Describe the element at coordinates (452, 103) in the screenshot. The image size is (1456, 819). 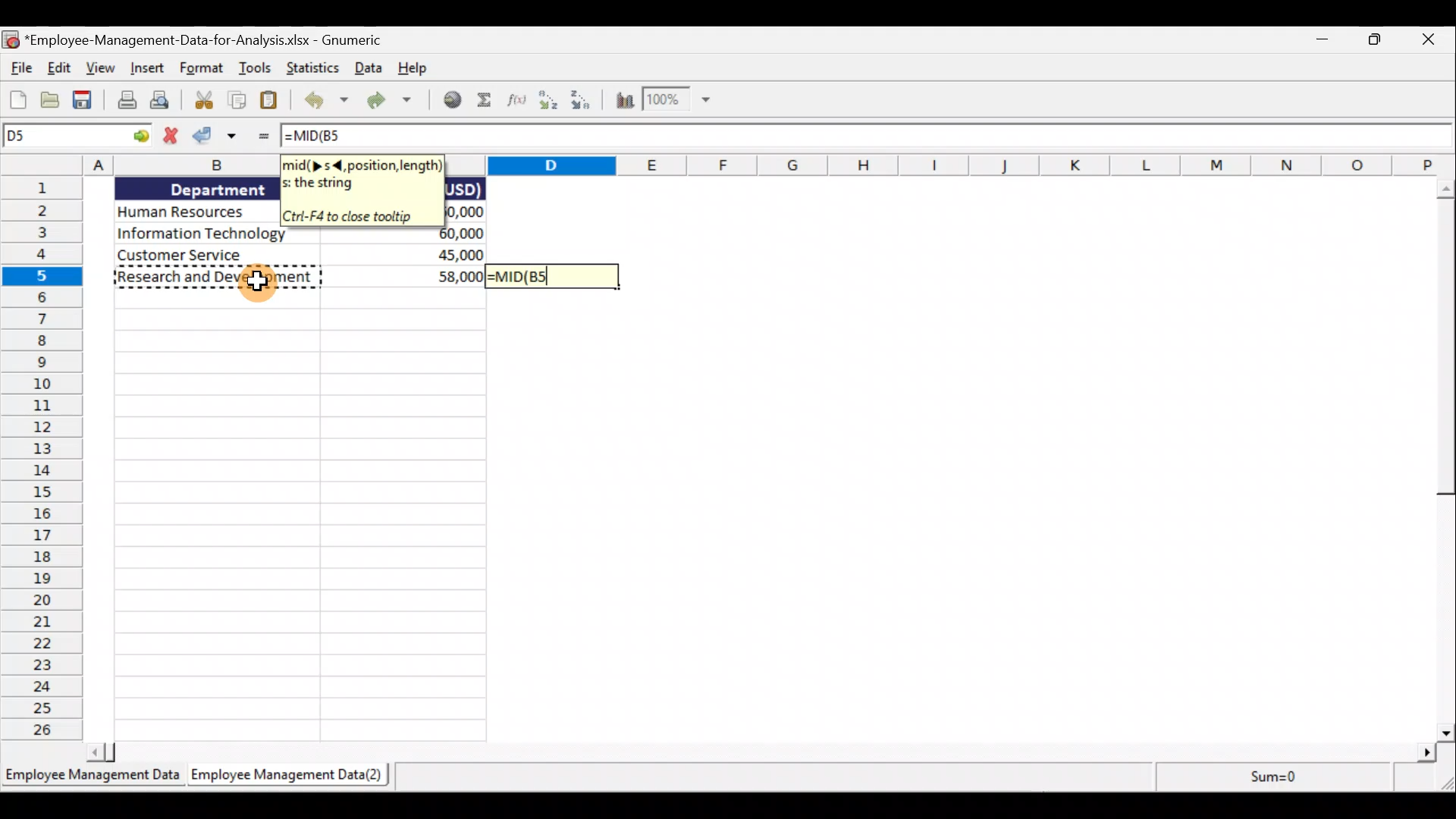
I see `Insert a hyperlink` at that location.